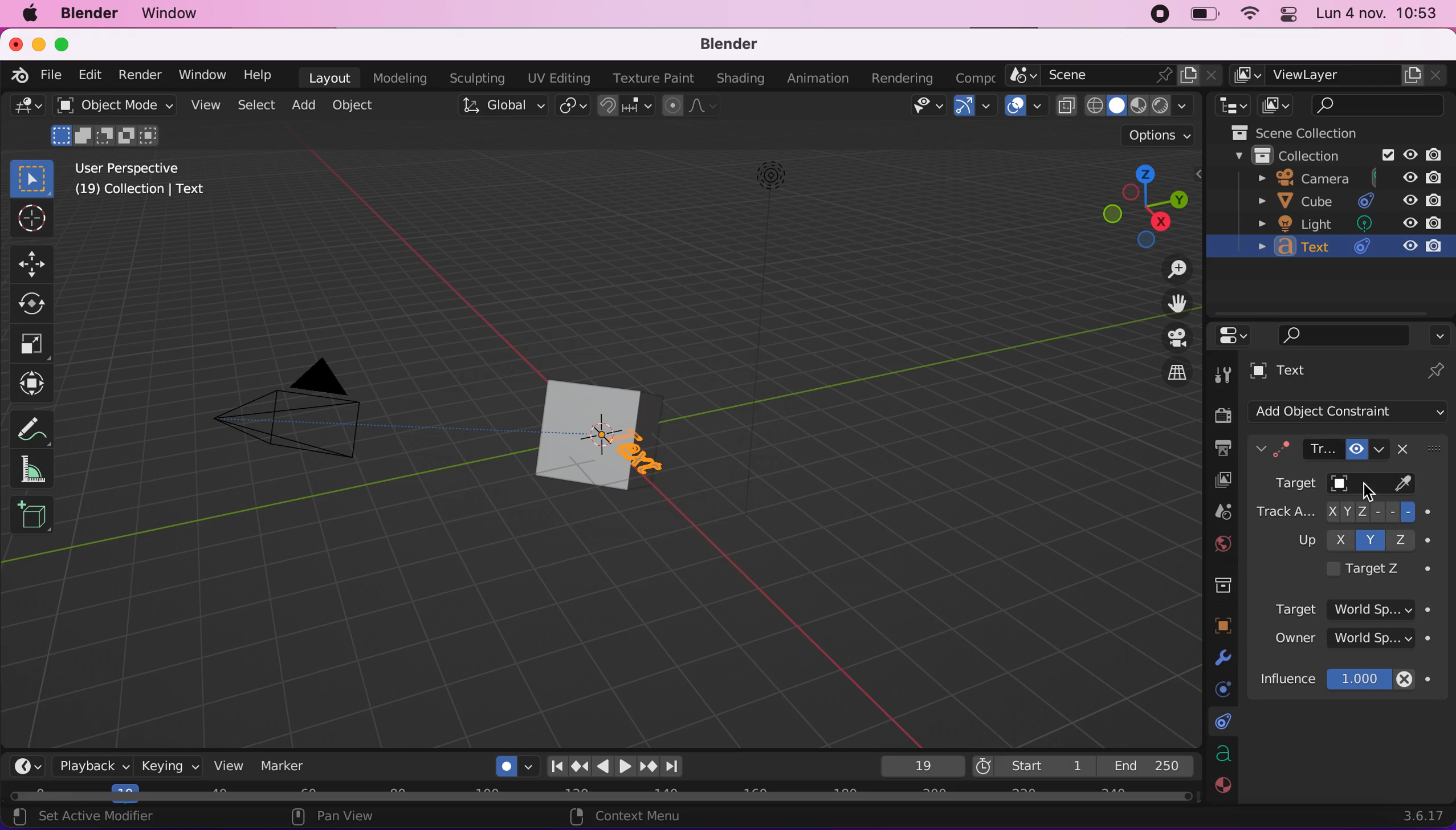 The image size is (1456, 830). I want to click on blender, so click(18, 76).